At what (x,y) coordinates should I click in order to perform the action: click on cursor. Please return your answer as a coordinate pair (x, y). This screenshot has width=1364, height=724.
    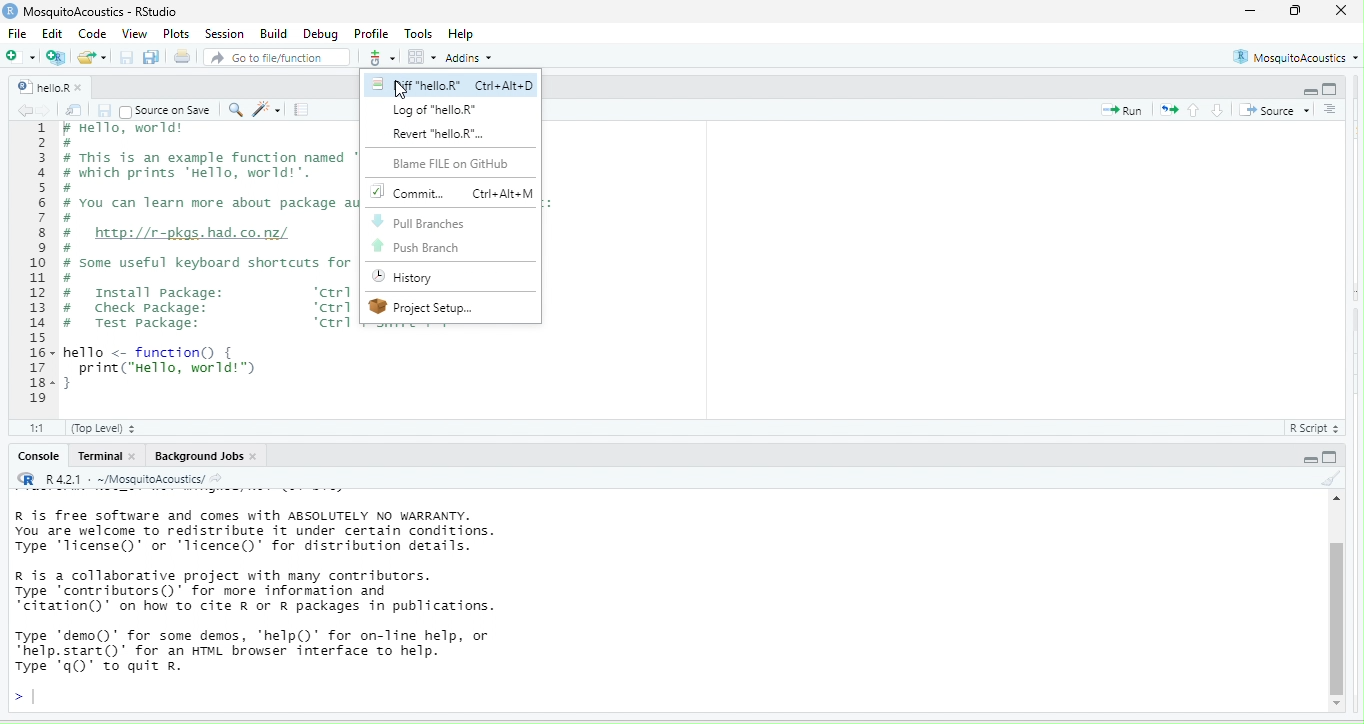
    Looking at the image, I should click on (404, 91).